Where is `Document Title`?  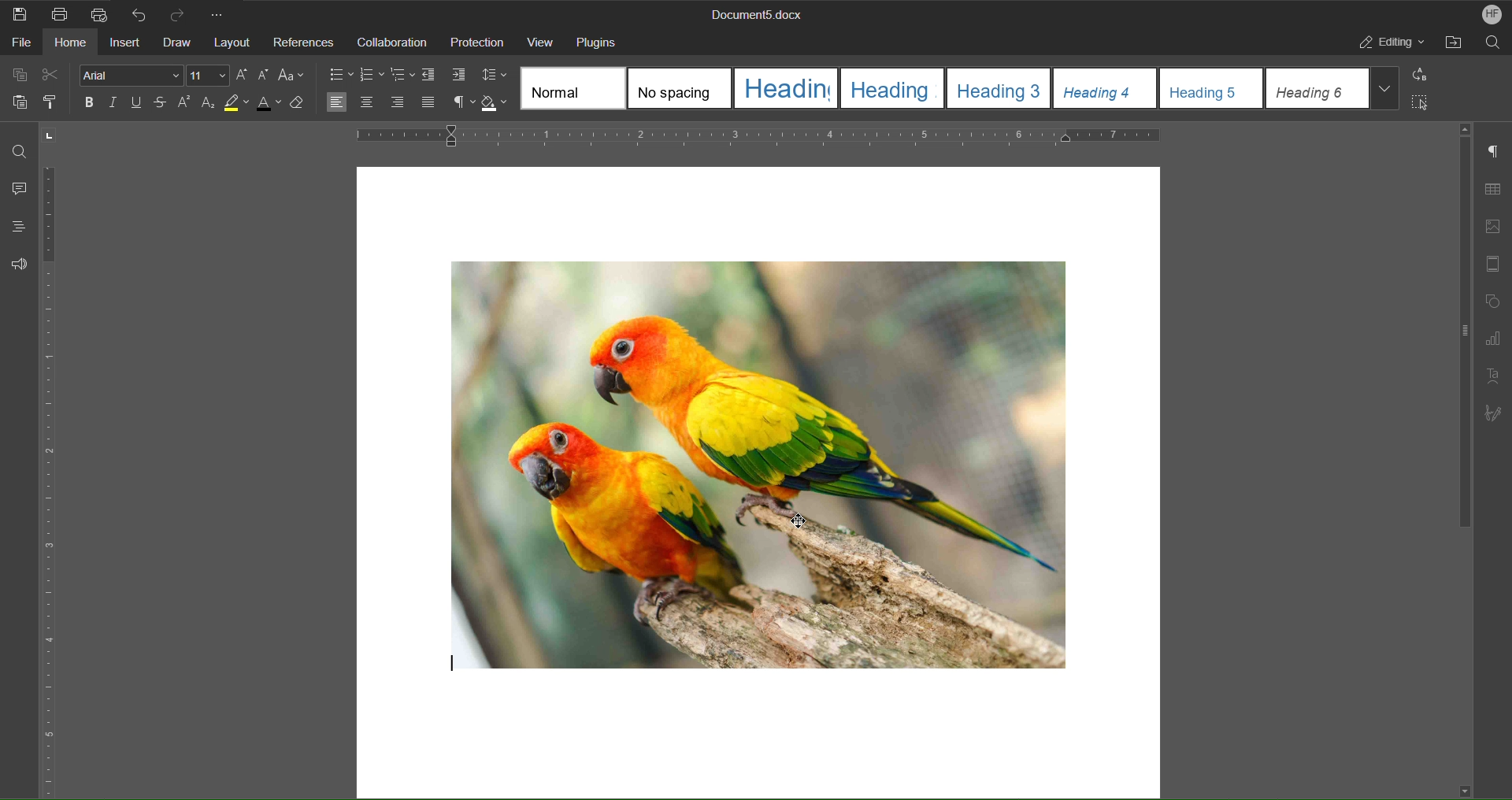
Document Title is located at coordinates (754, 16).